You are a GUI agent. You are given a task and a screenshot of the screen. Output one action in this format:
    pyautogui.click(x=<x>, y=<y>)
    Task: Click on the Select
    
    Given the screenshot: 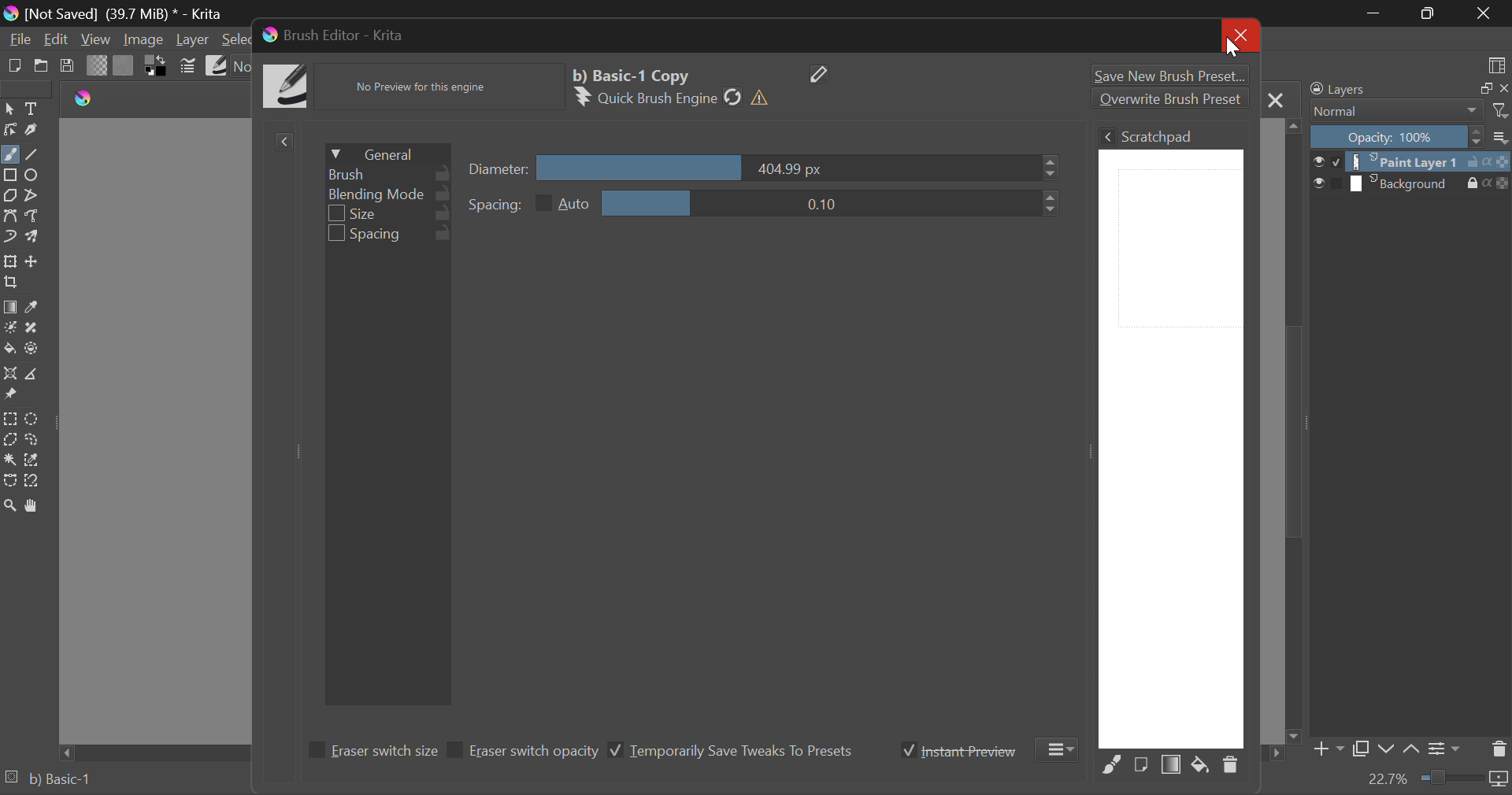 What is the action you would take?
    pyautogui.click(x=233, y=42)
    